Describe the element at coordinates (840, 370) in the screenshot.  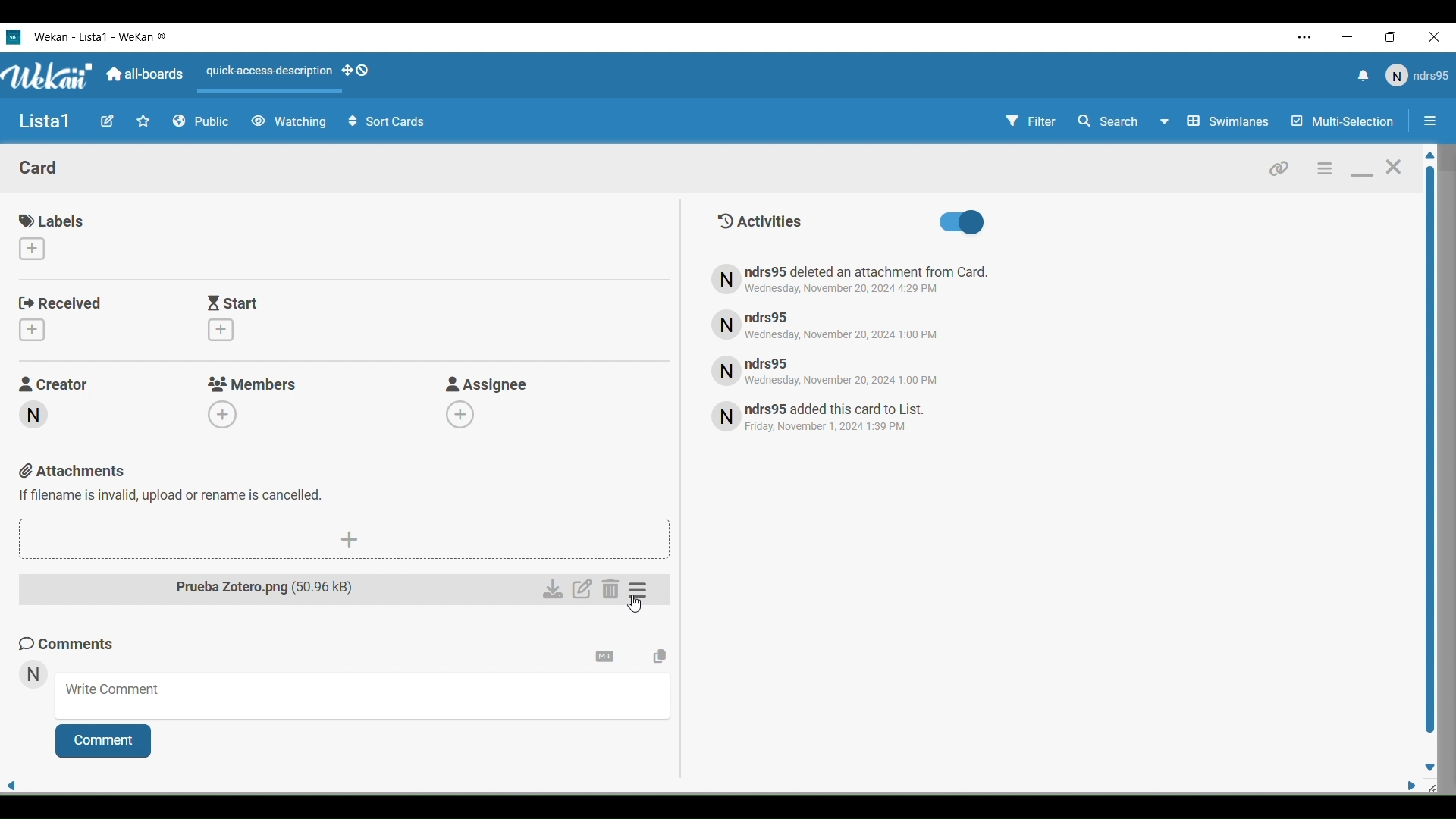
I see `Text` at that location.